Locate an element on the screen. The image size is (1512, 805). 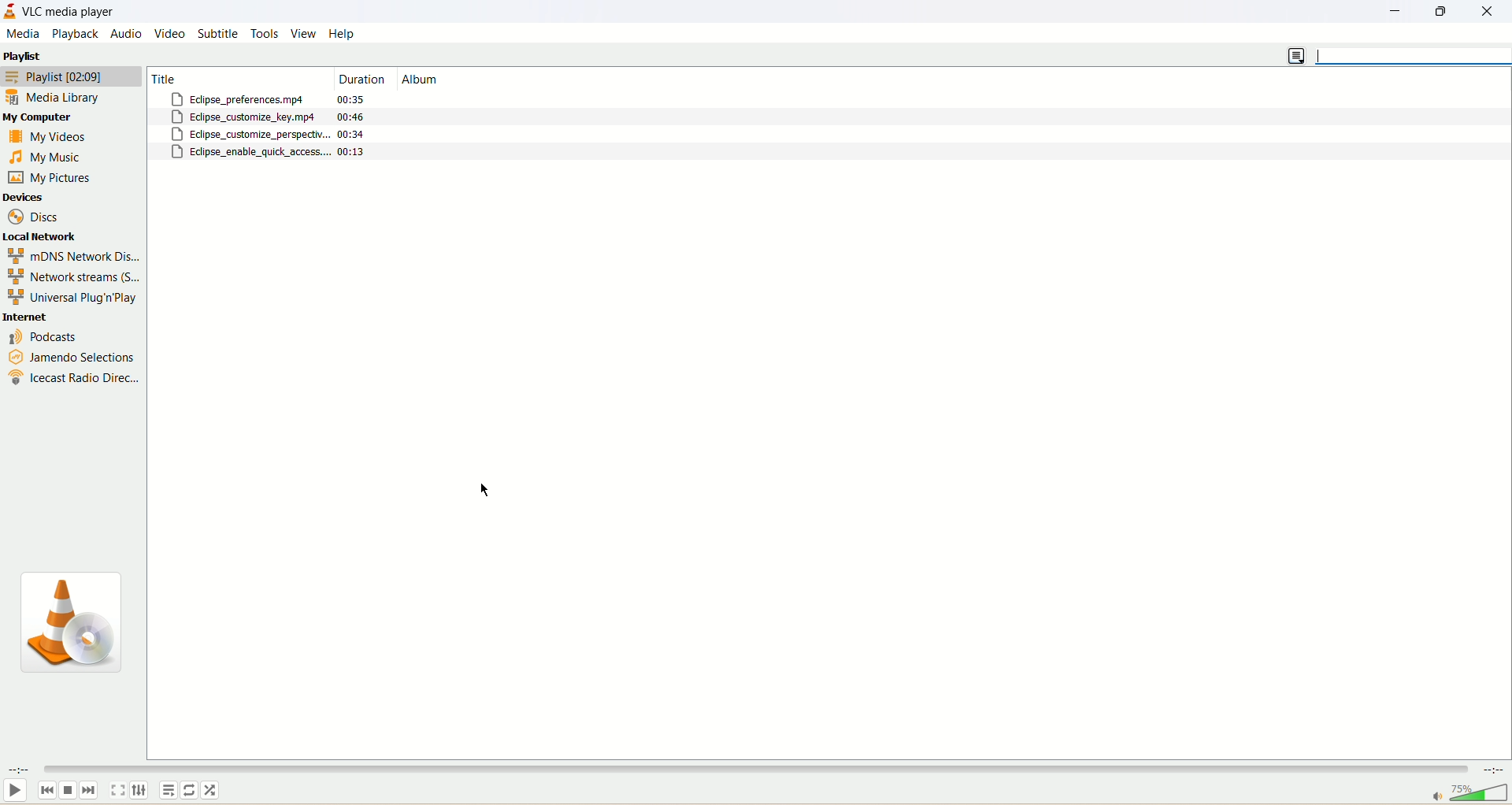
00:35 is located at coordinates (354, 98).